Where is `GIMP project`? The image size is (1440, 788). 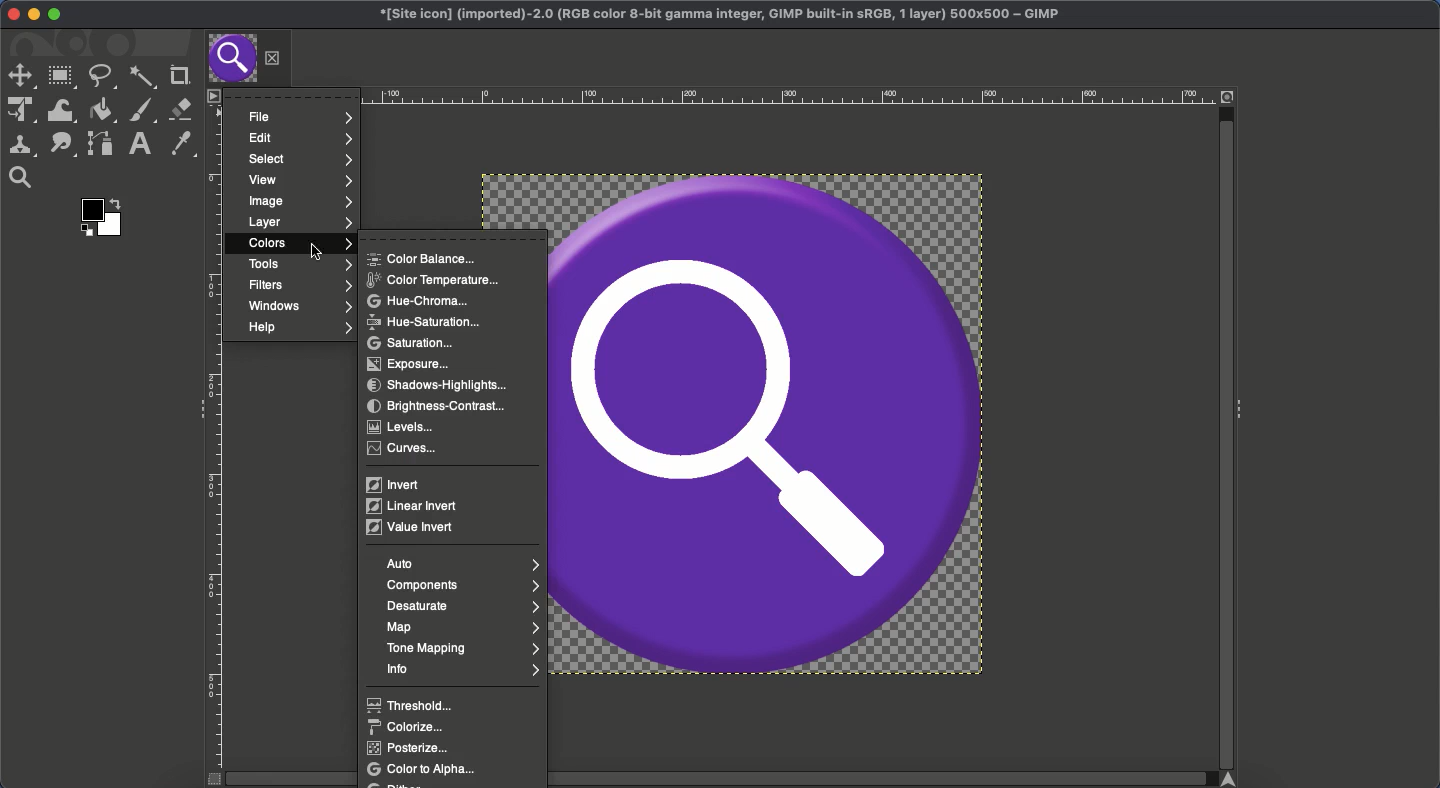
GIMP project is located at coordinates (724, 13).